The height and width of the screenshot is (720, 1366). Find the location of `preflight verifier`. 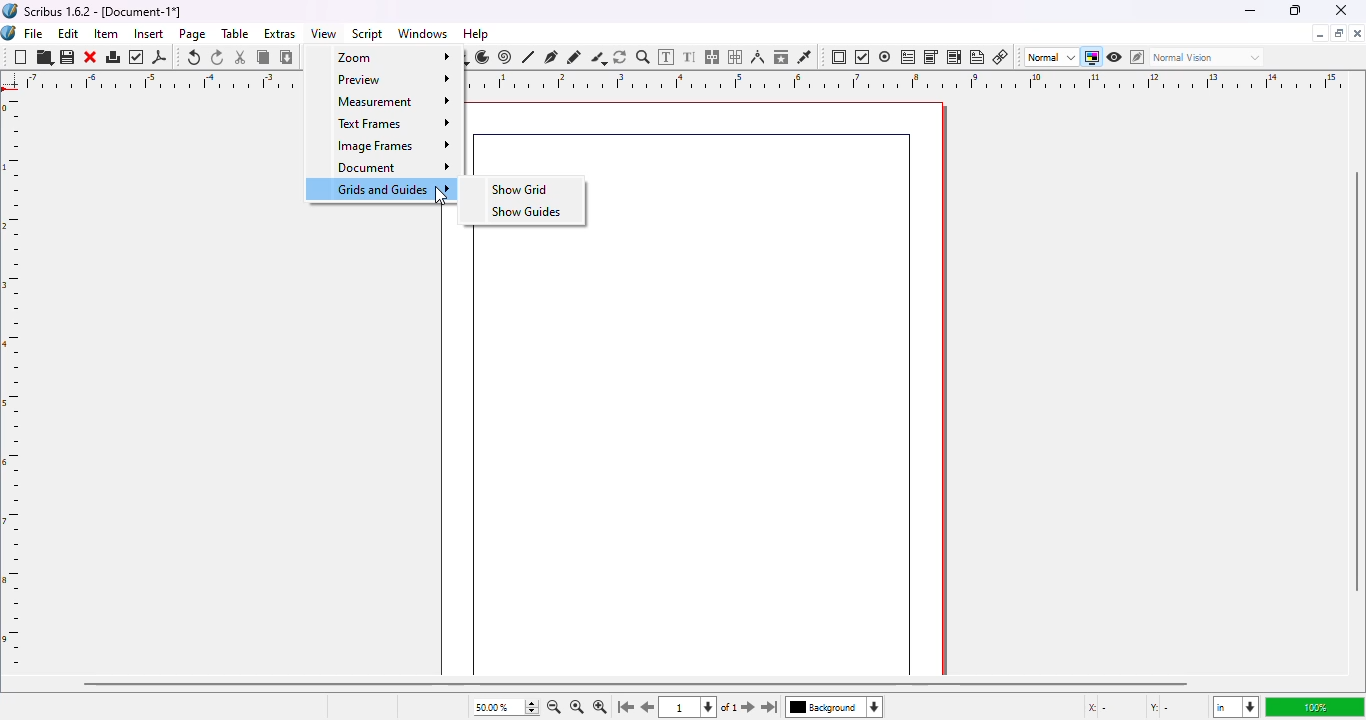

preflight verifier is located at coordinates (138, 57).